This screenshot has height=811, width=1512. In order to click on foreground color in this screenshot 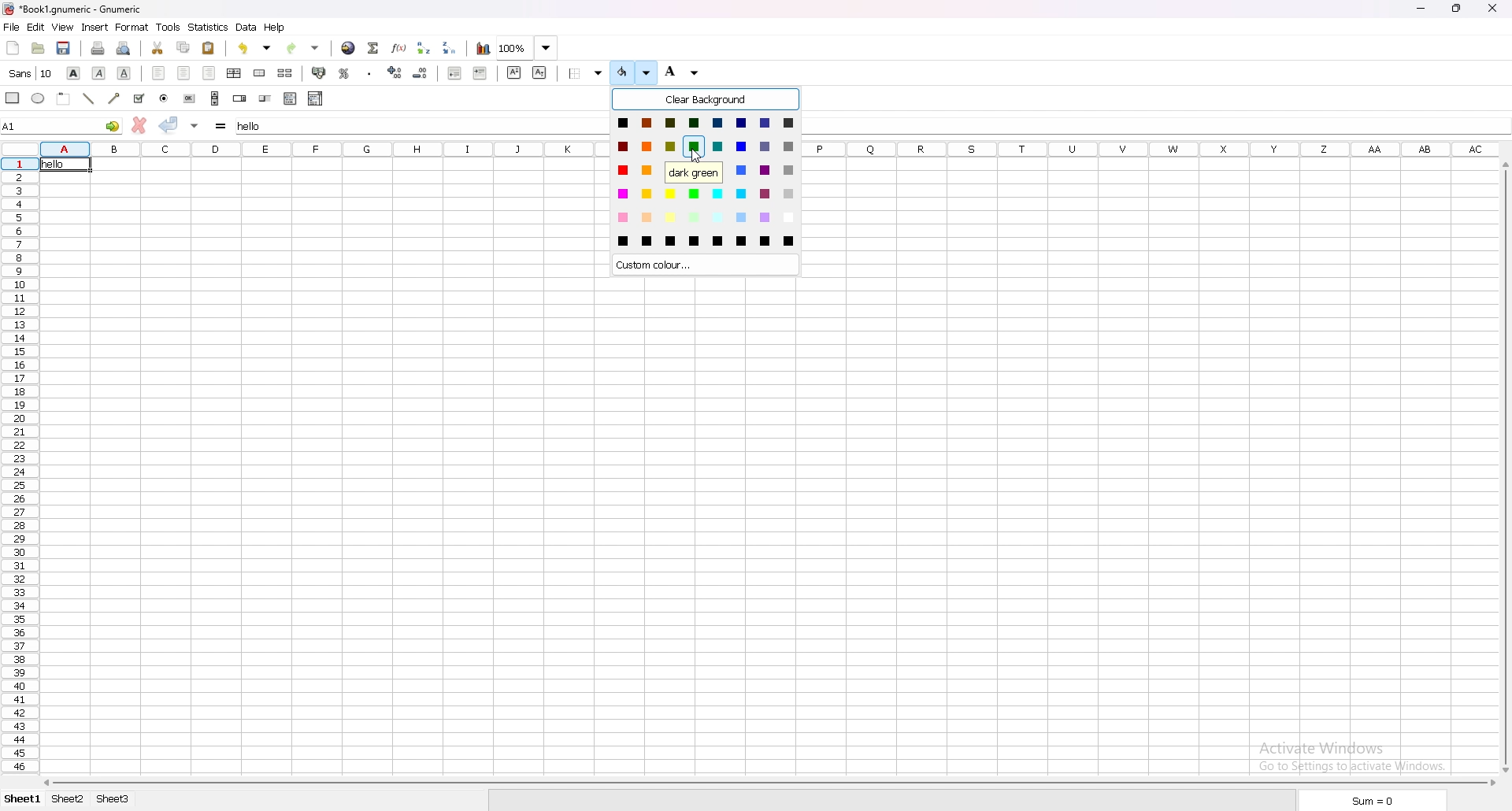, I will do `click(633, 72)`.